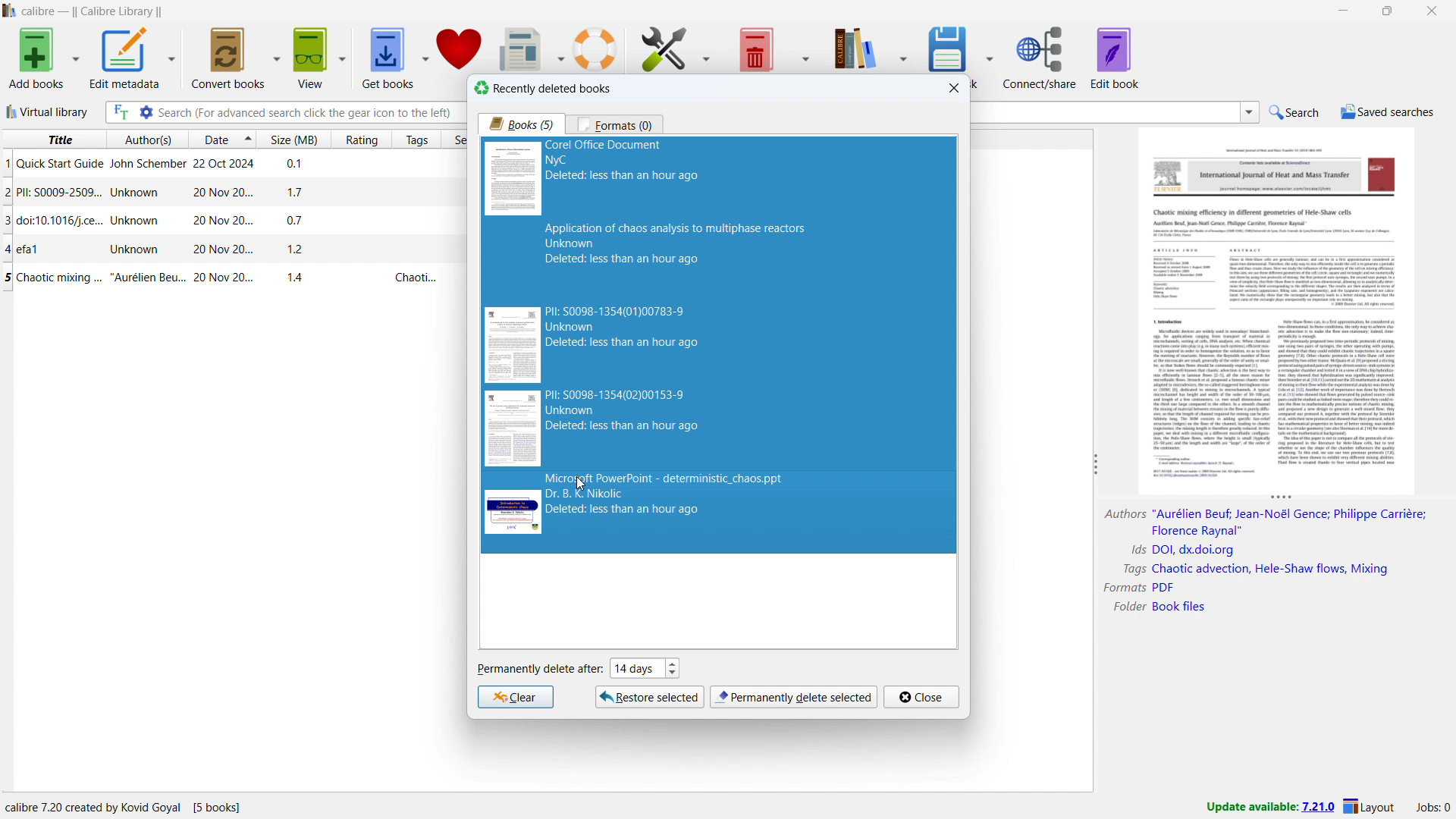 Image resolution: width=1456 pixels, height=819 pixels. What do you see at coordinates (171, 58) in the screenshot?
I see `edit metadata options` at bounding box center [171, 58].